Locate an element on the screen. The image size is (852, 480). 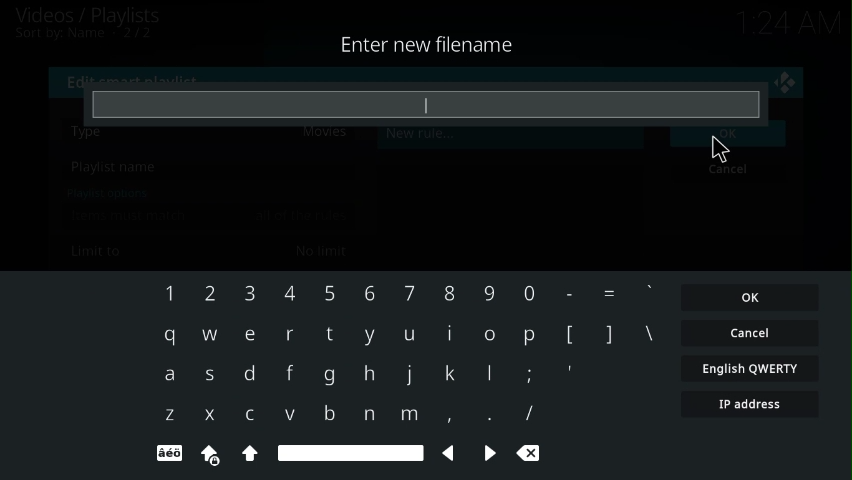
enter new filename is located at coordinates (431, 43).